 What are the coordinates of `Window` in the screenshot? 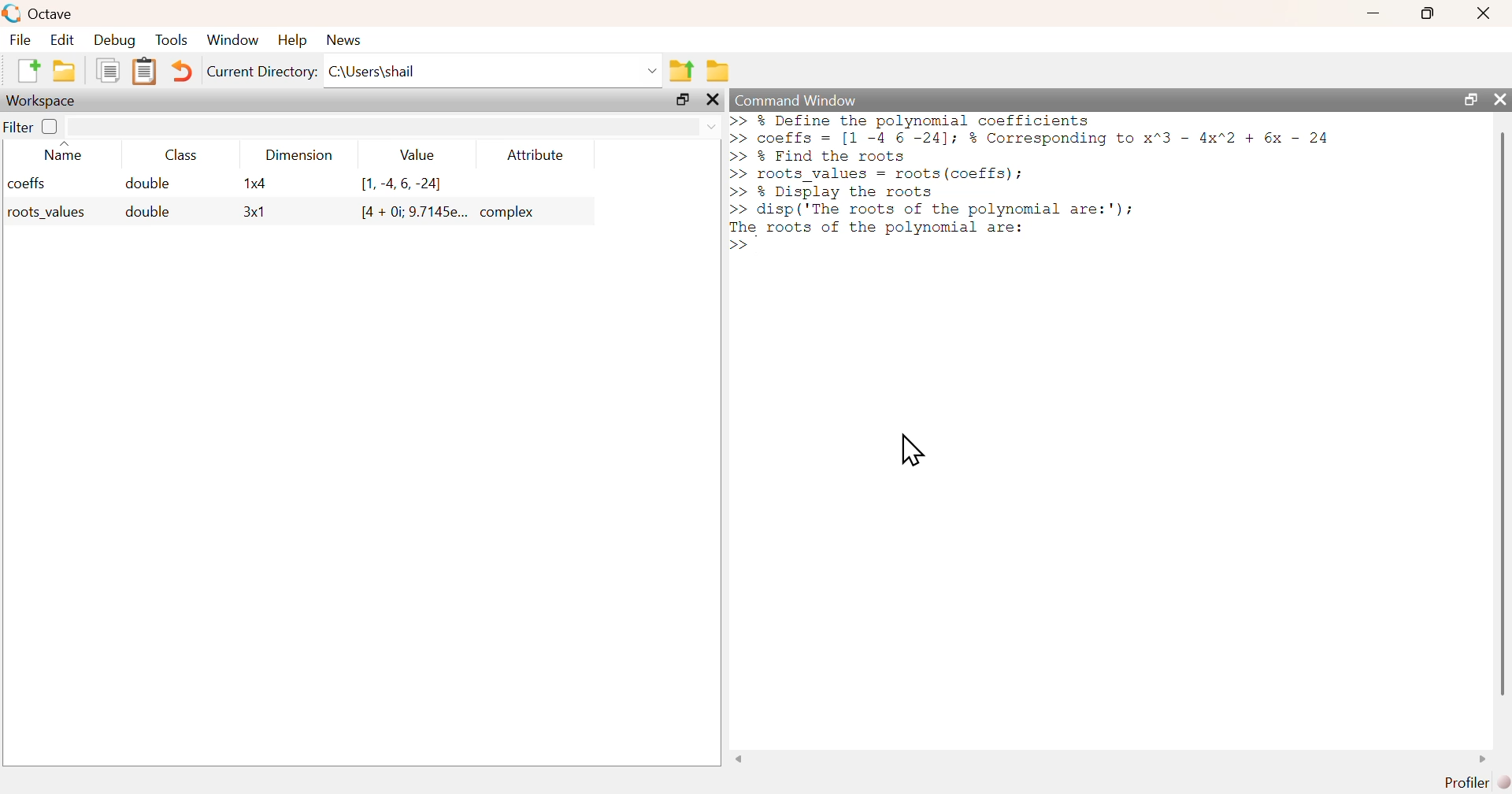 It's located at (233, 39).